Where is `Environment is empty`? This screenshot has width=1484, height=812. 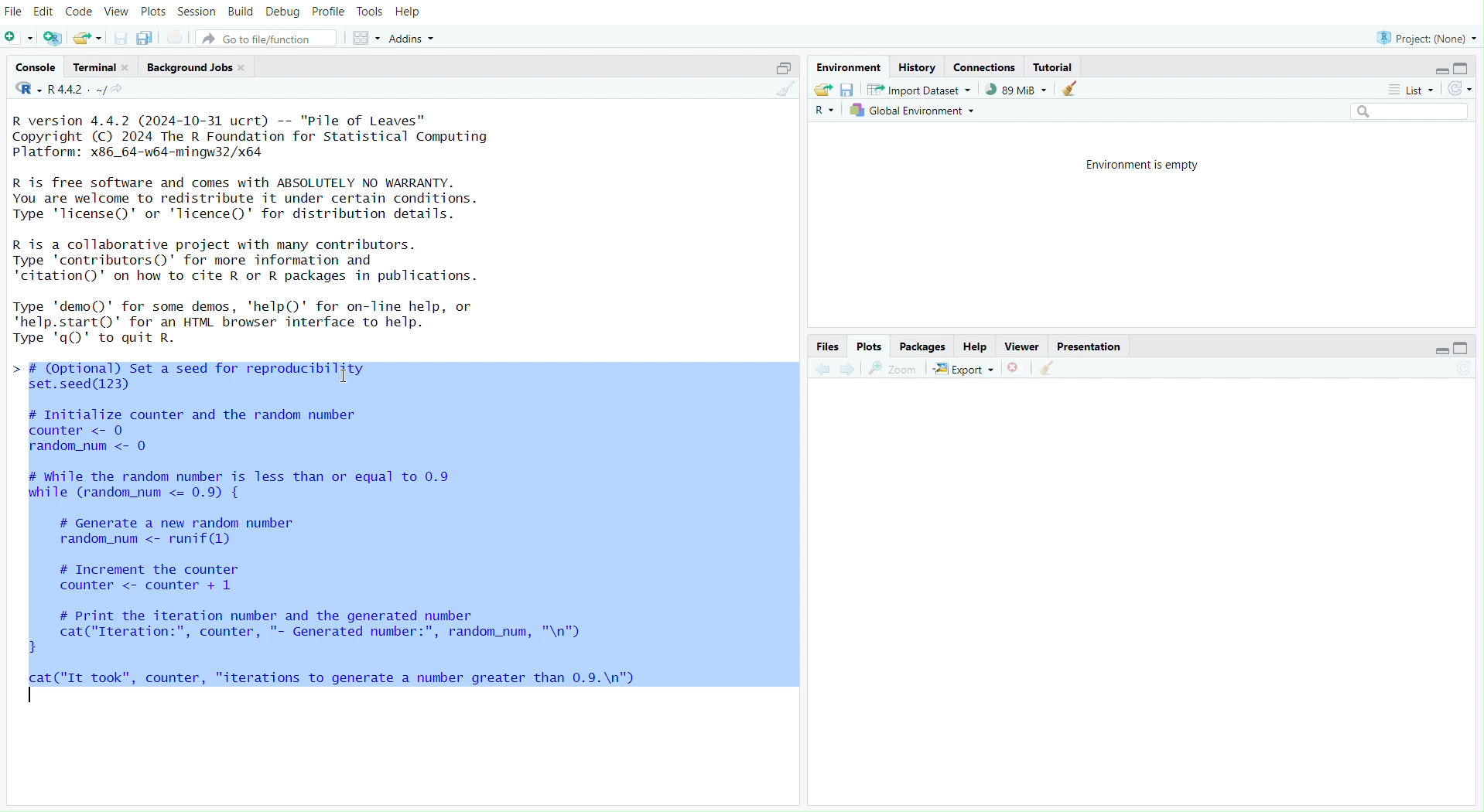
Environment is empty is located at coordinates (1149, 164).